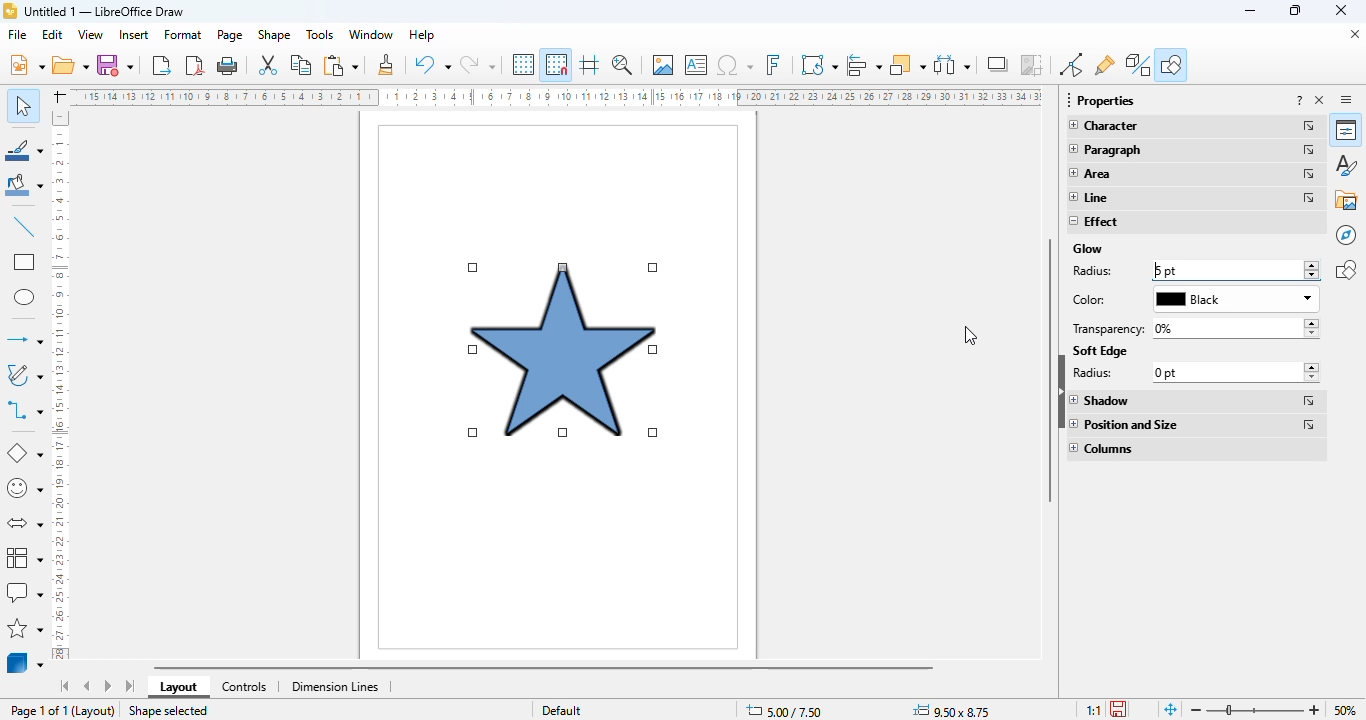  What do you see at coordinates (24, 262) in the screenshot?
I see `rectangle` at bounding box center [24, 262].